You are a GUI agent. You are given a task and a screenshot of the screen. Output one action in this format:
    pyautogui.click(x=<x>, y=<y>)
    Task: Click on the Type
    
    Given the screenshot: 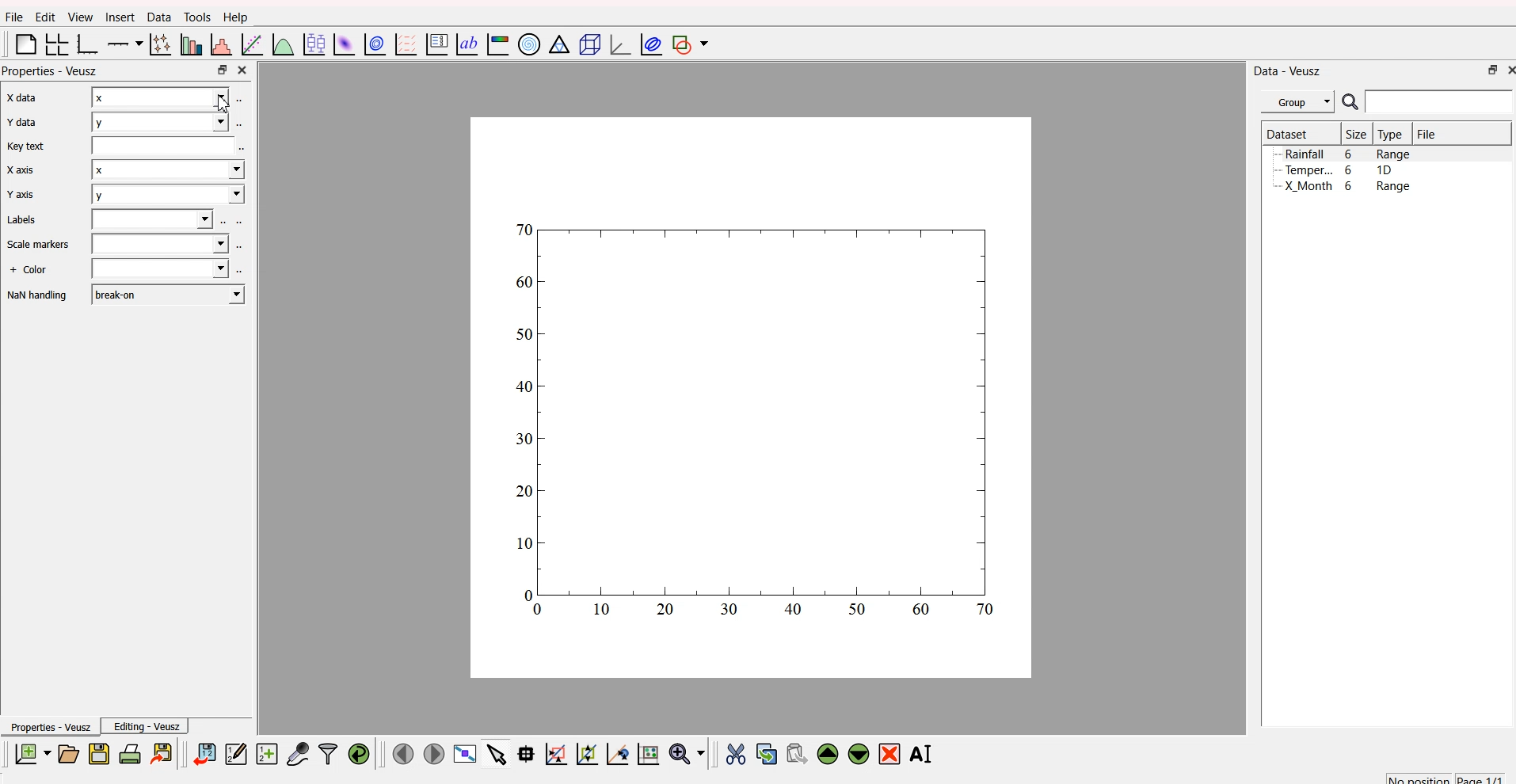 What is the action you would take?
    pyautogui.click(x=1391, y=135)
    